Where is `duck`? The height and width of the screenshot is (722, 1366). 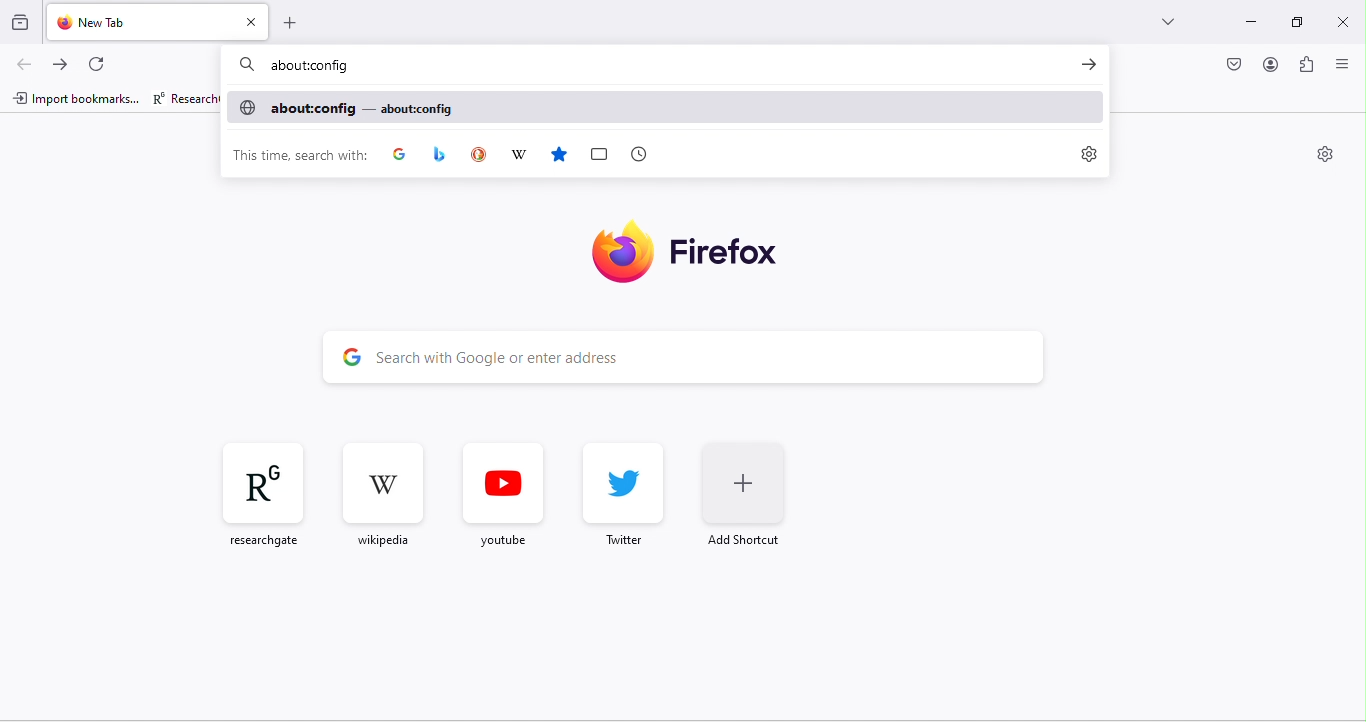
duck is located at coordinates (482, 154).